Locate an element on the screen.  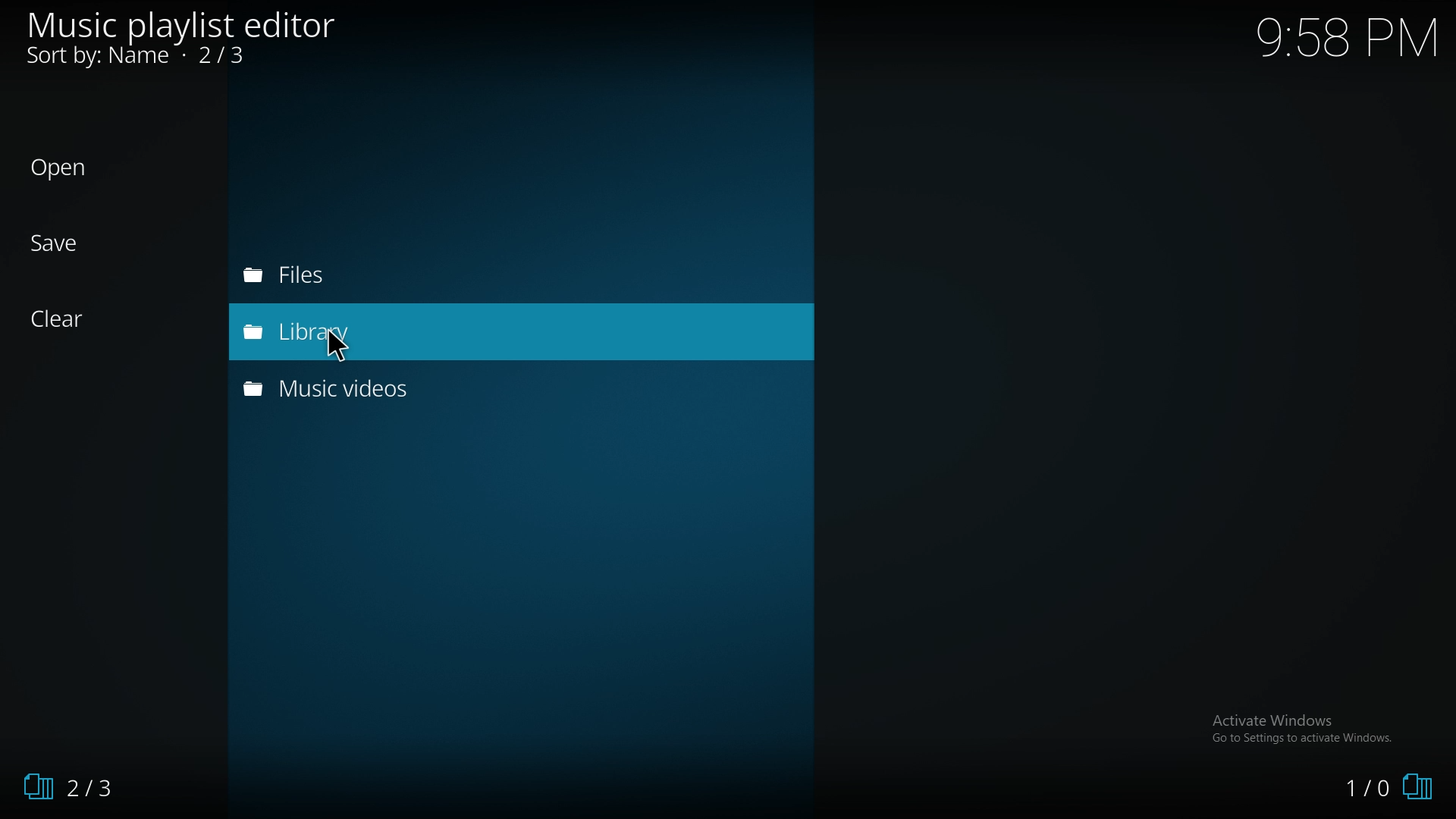
Activate Windows
Go to Settings to activate Windows. is located at coordinates (1313, 732).